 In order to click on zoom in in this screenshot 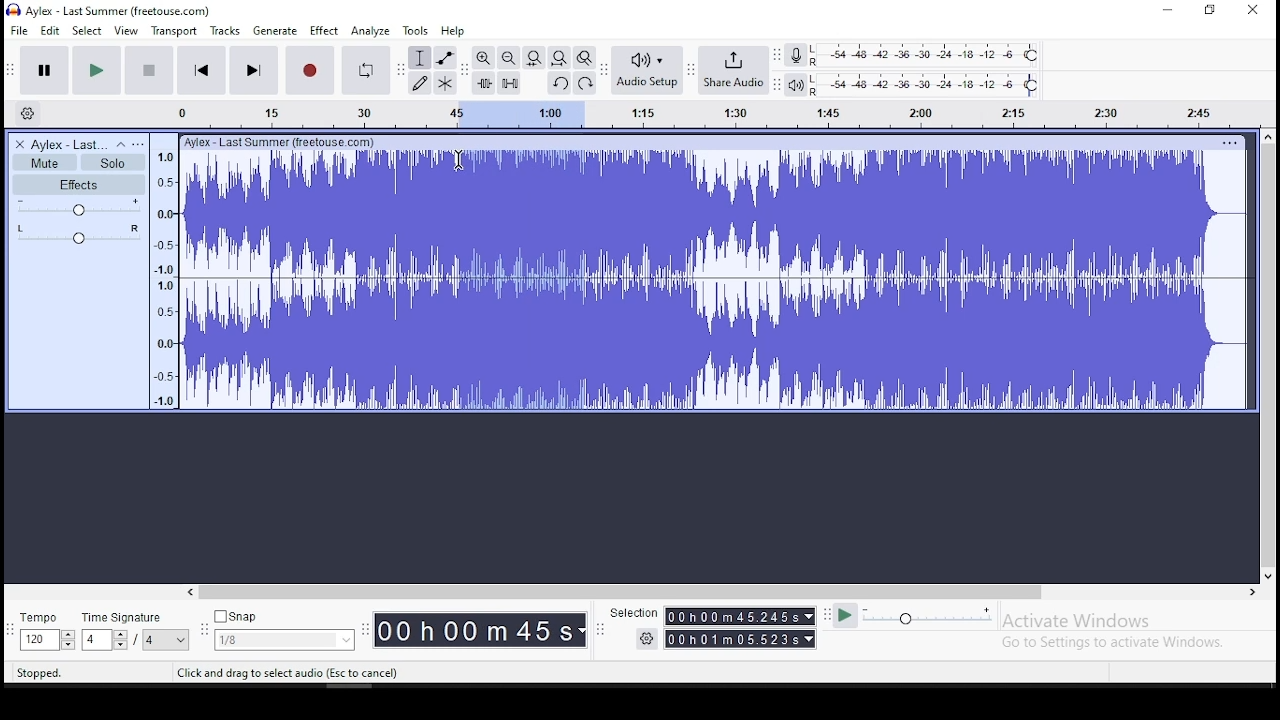, I will do `click(483, 58)`.